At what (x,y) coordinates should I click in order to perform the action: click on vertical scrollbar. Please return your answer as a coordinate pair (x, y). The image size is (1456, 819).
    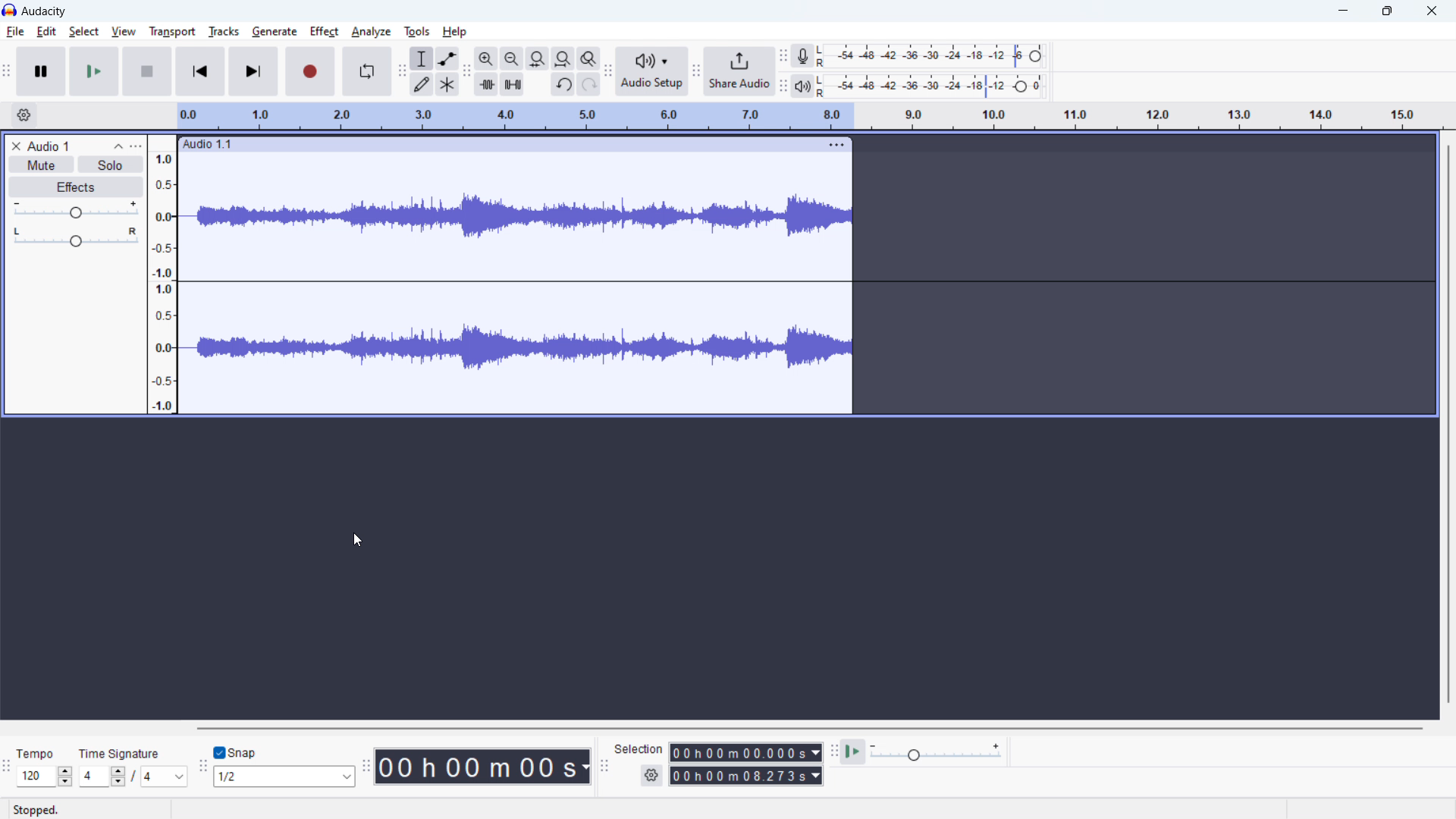
    Looking at the image, I should click on (1449, 425).